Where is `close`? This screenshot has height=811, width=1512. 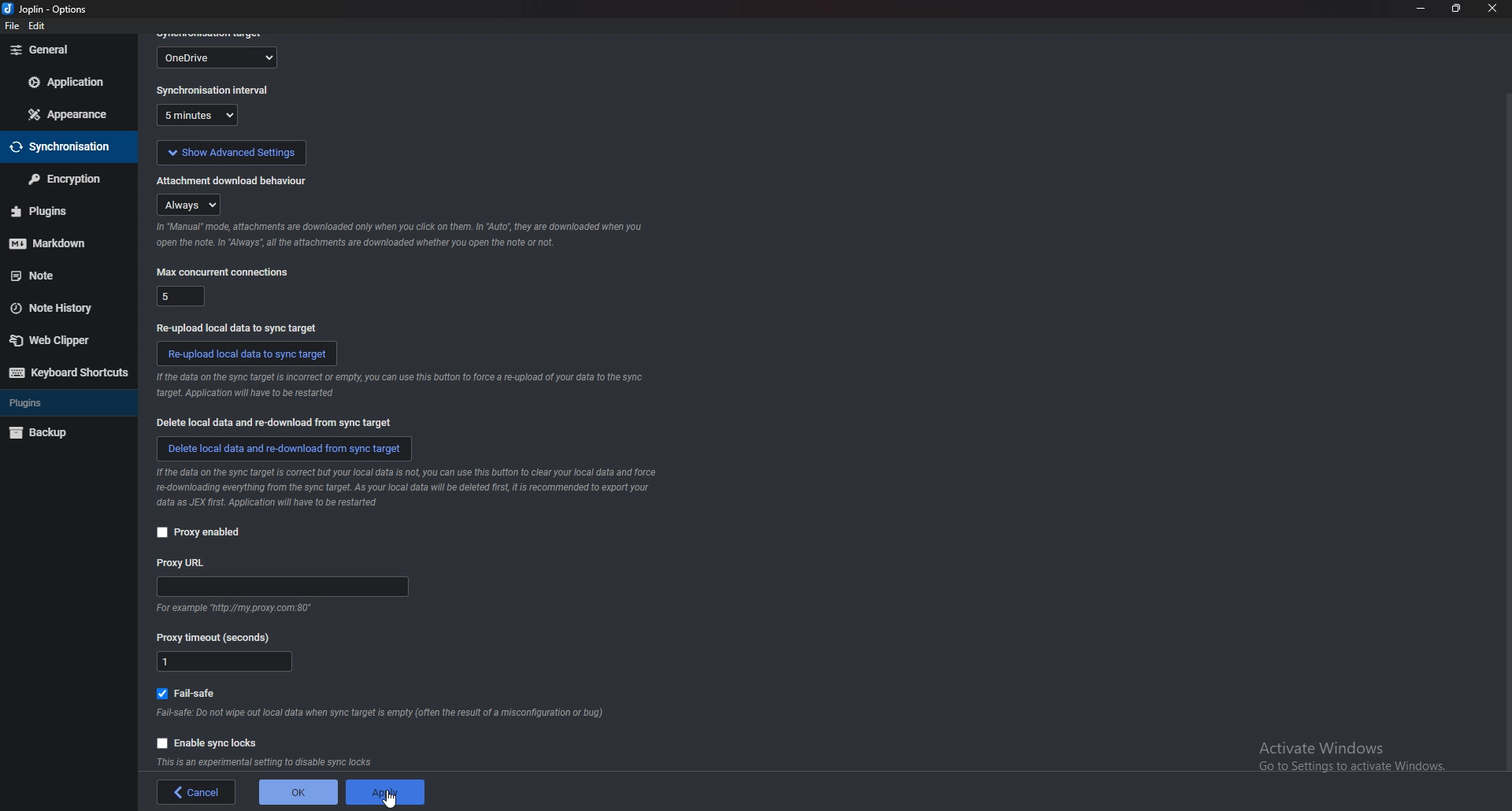 close is located at coordinates (1491, 9).